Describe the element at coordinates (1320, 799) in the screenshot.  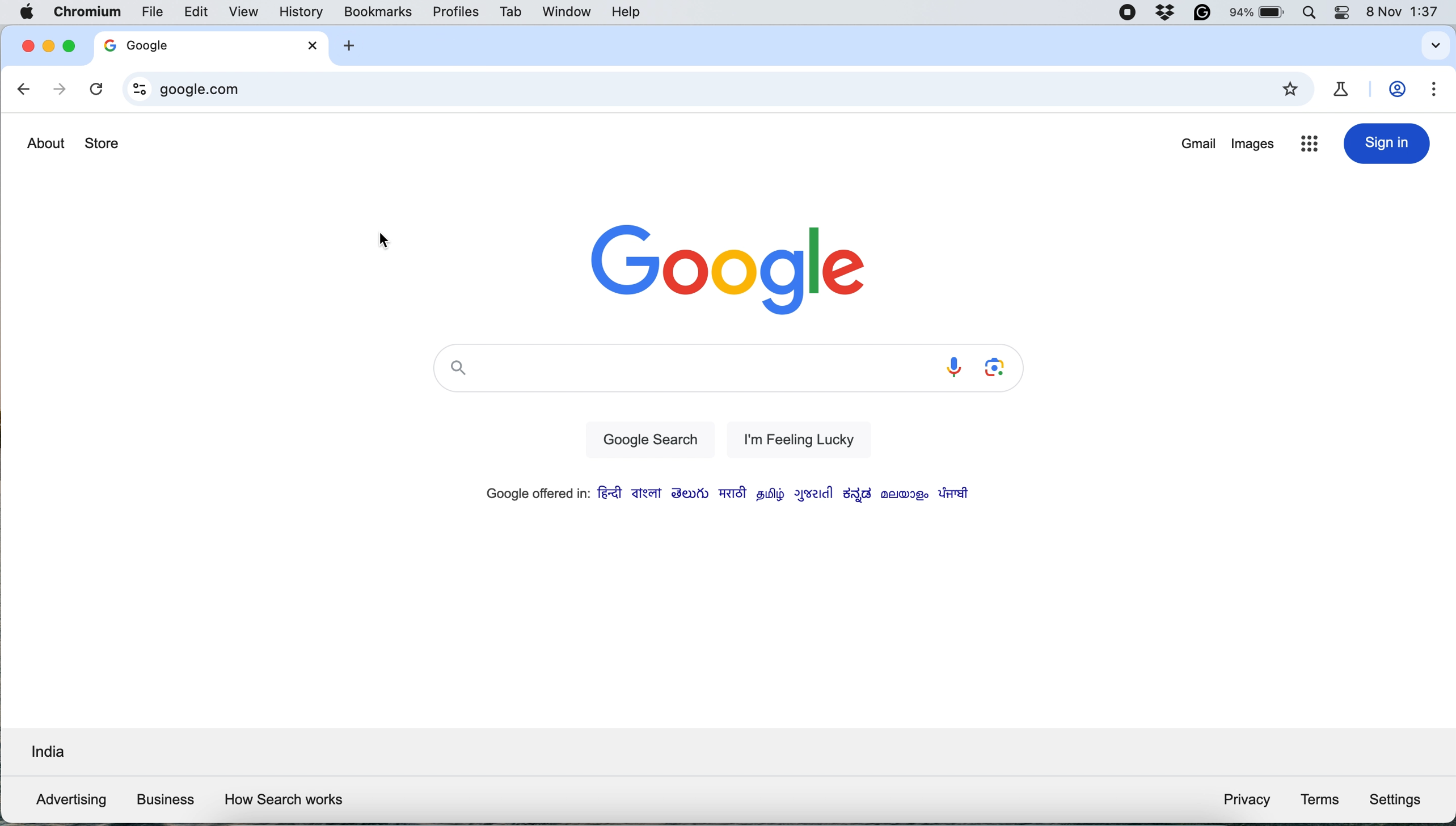
I see `terms` at that location.